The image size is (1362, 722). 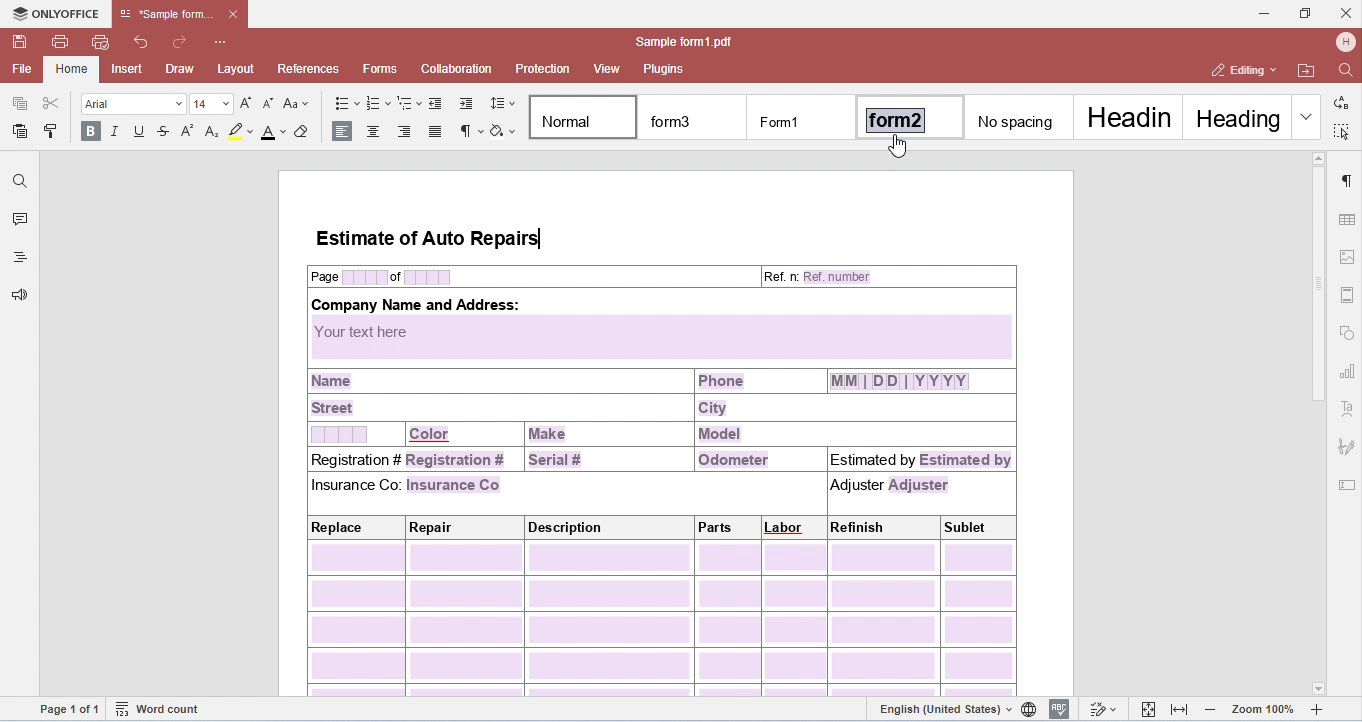 I want to click on justified, so click(x=438, y=132).